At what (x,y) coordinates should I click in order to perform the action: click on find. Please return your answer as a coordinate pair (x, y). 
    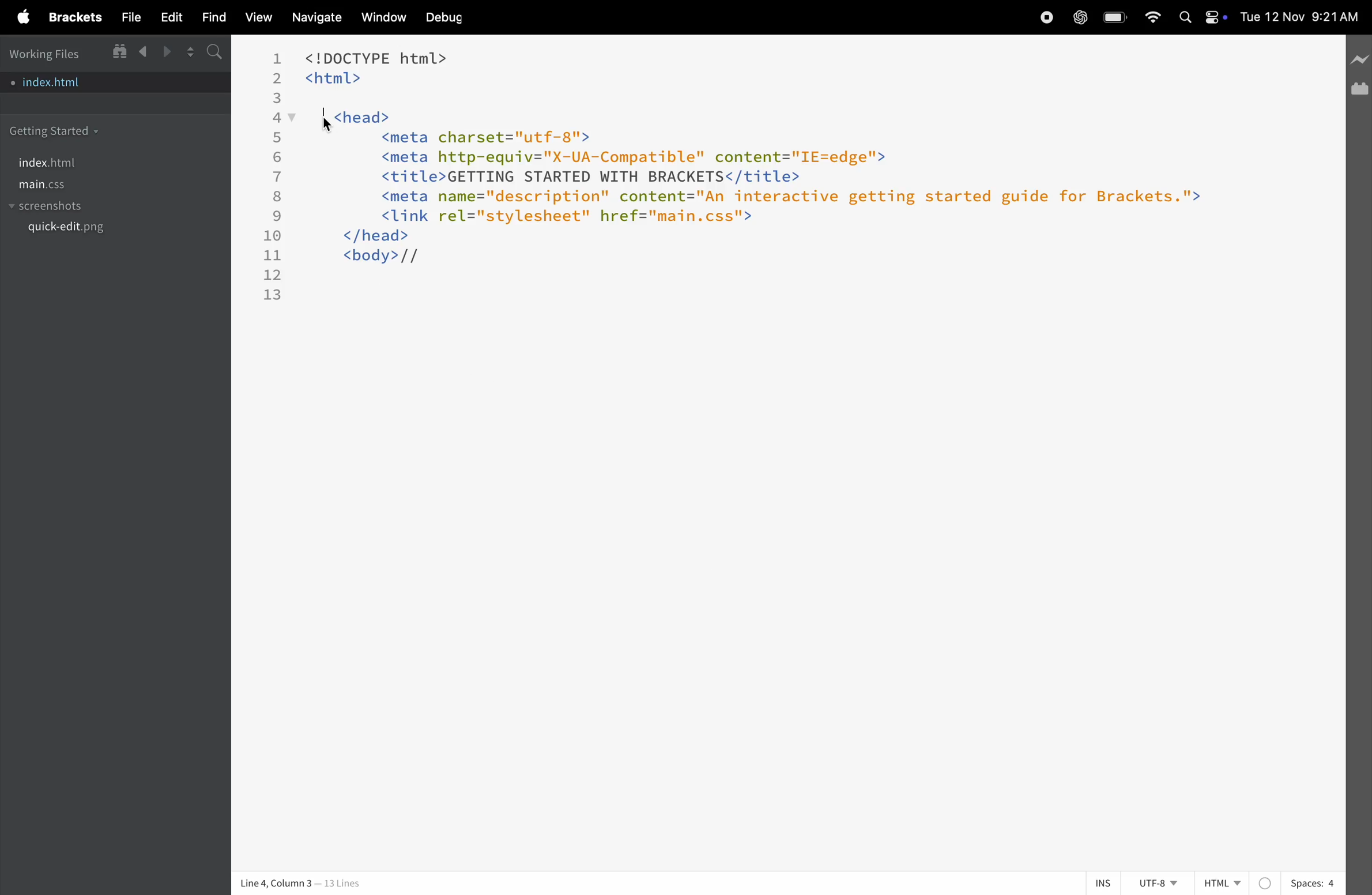
    Looking at the image, I should click on (209, 17).